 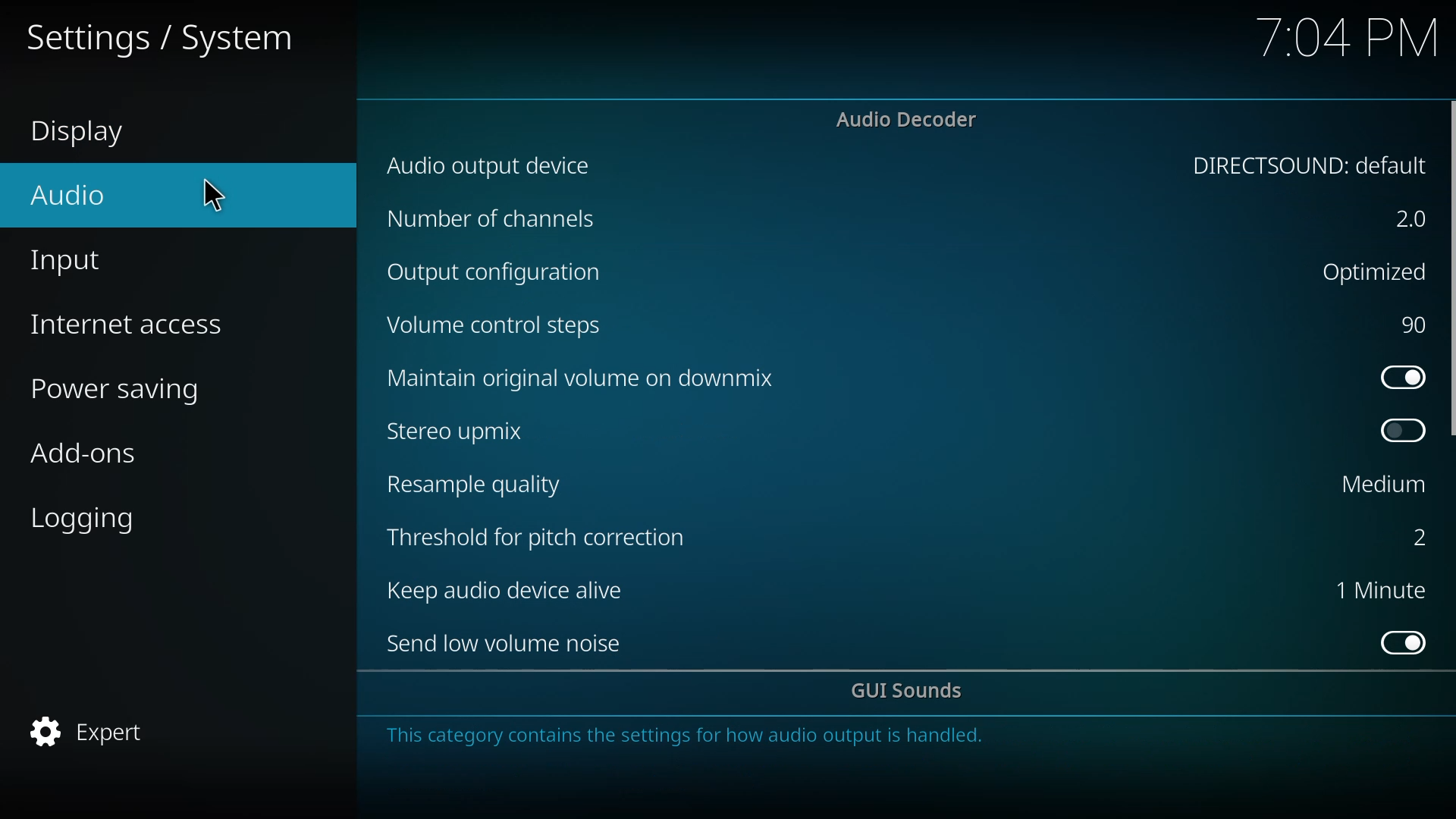 What do you see at coordinates (70, 194) in the screenshot?
I see `audio` at bounding box center [70, 194].